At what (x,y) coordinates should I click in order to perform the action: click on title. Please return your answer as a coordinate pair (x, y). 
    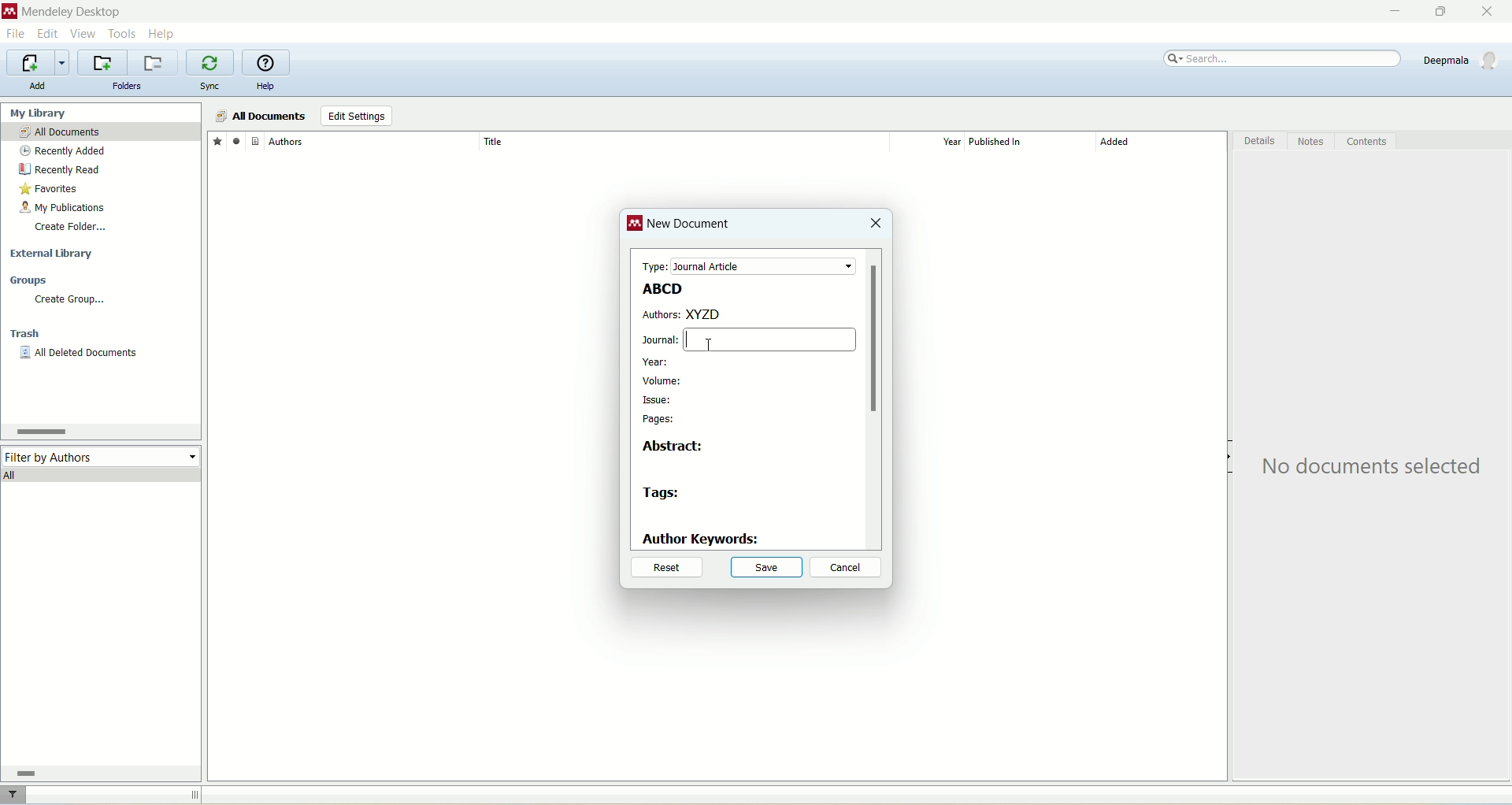
    Looking at the image, I should click on (683, 141).